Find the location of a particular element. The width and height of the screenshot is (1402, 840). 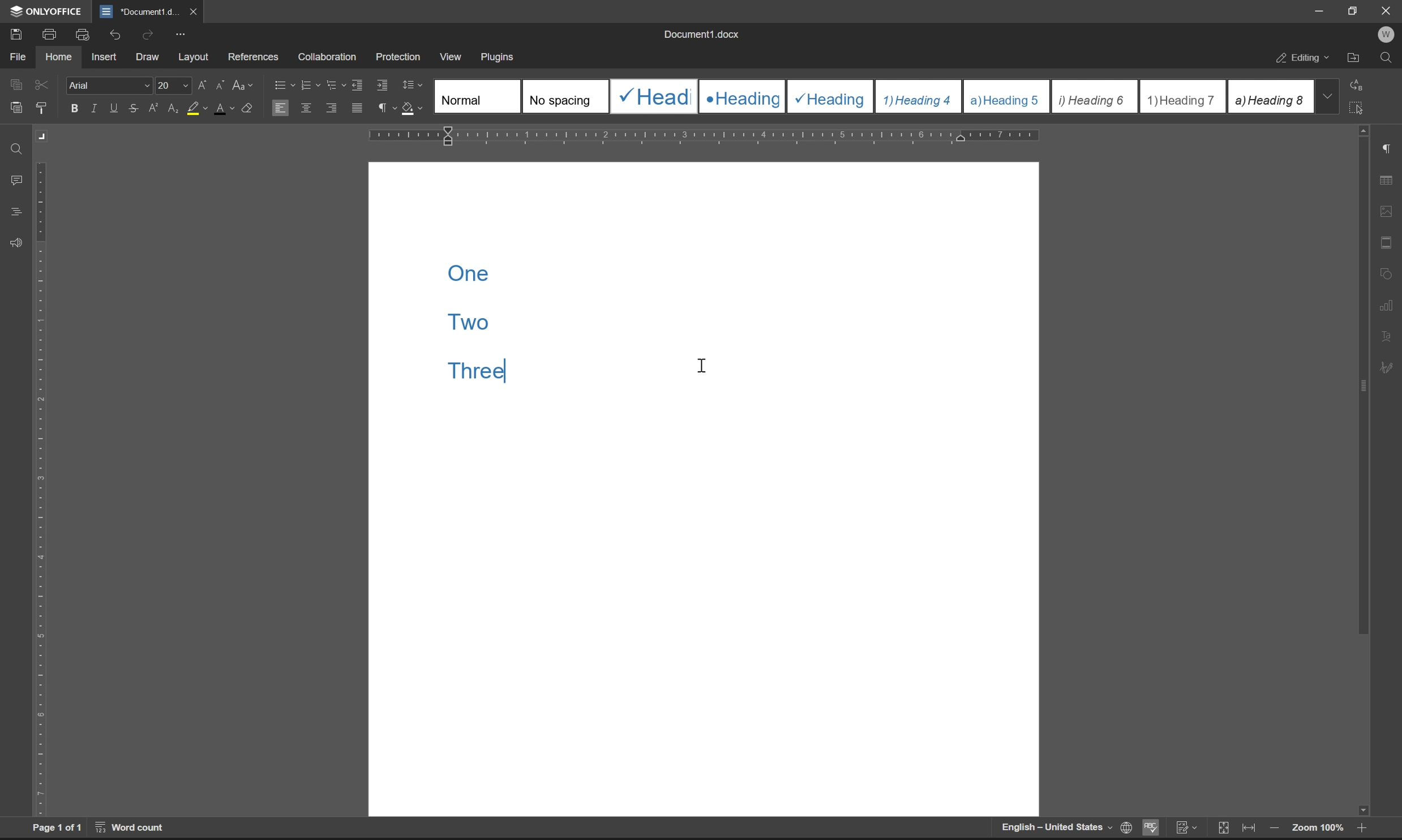

undo is located at coordinates (113, 36).